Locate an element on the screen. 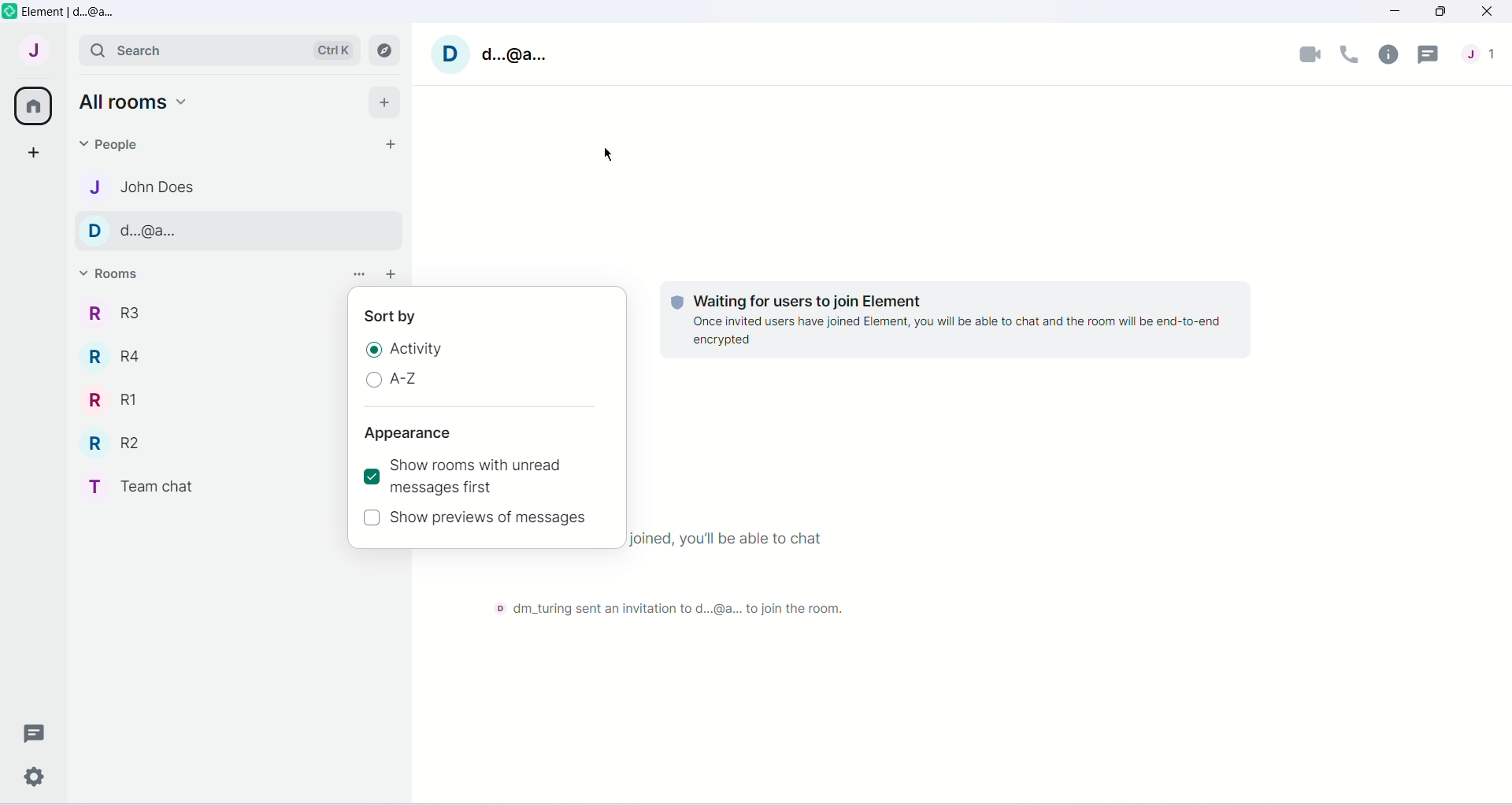 The width and height of the screenshot is (1512, 805). Show rooms with unread messages first is located at coordinates (490, 477).